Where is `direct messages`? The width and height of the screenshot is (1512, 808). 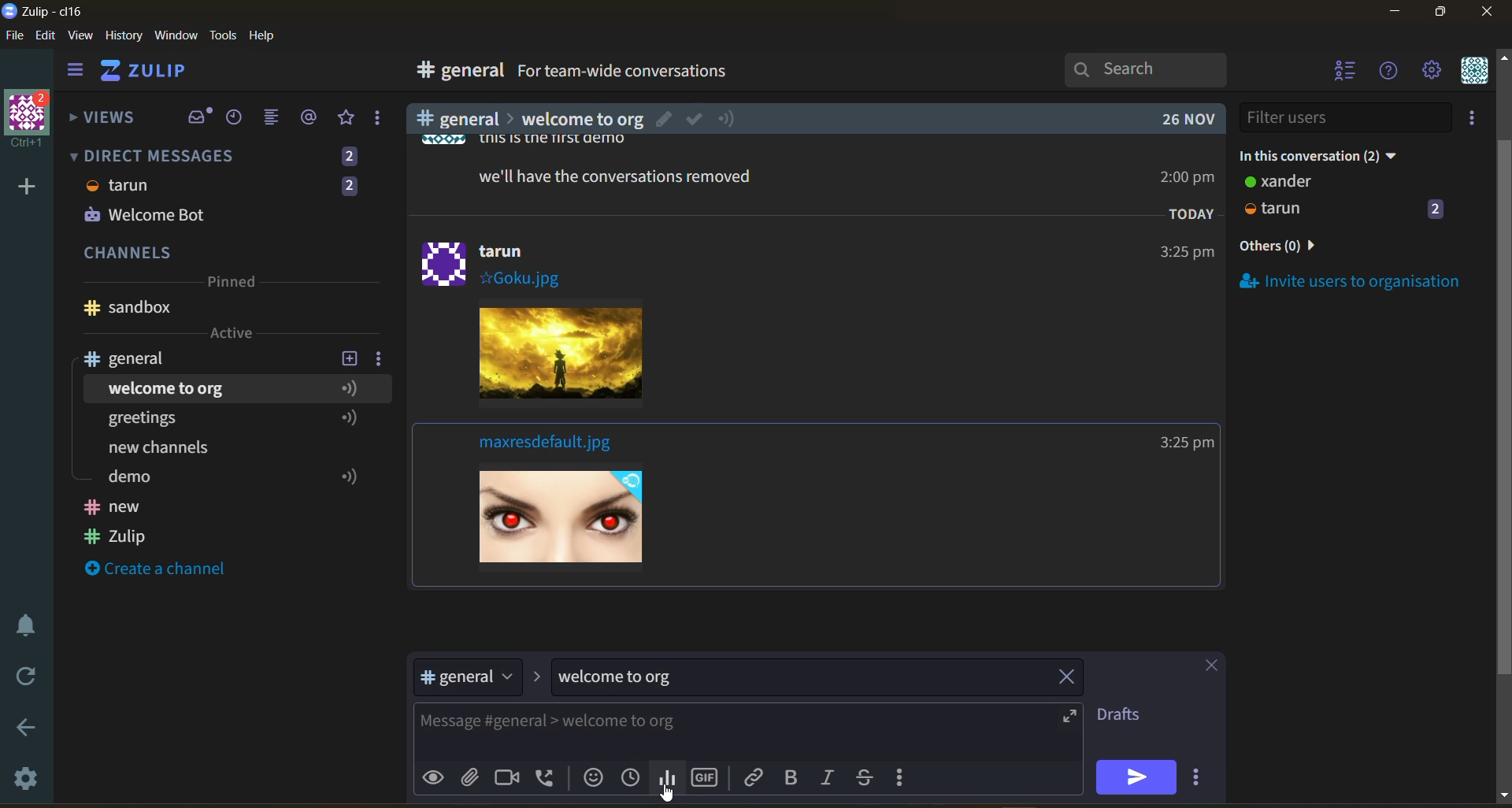 direct messages is located at coordinates (228, 154).